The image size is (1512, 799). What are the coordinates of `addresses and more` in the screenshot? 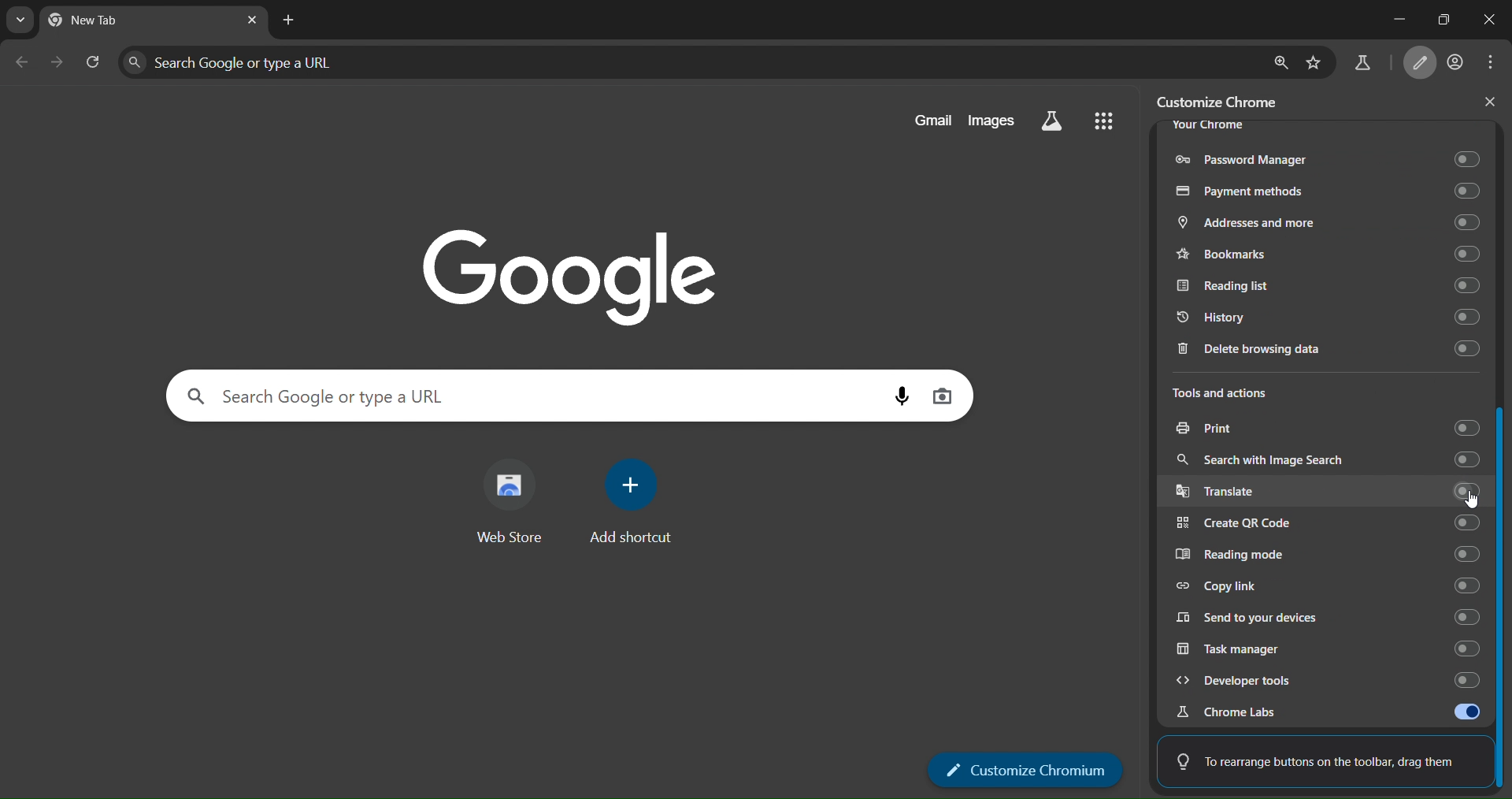 It's located at (1324, 221).